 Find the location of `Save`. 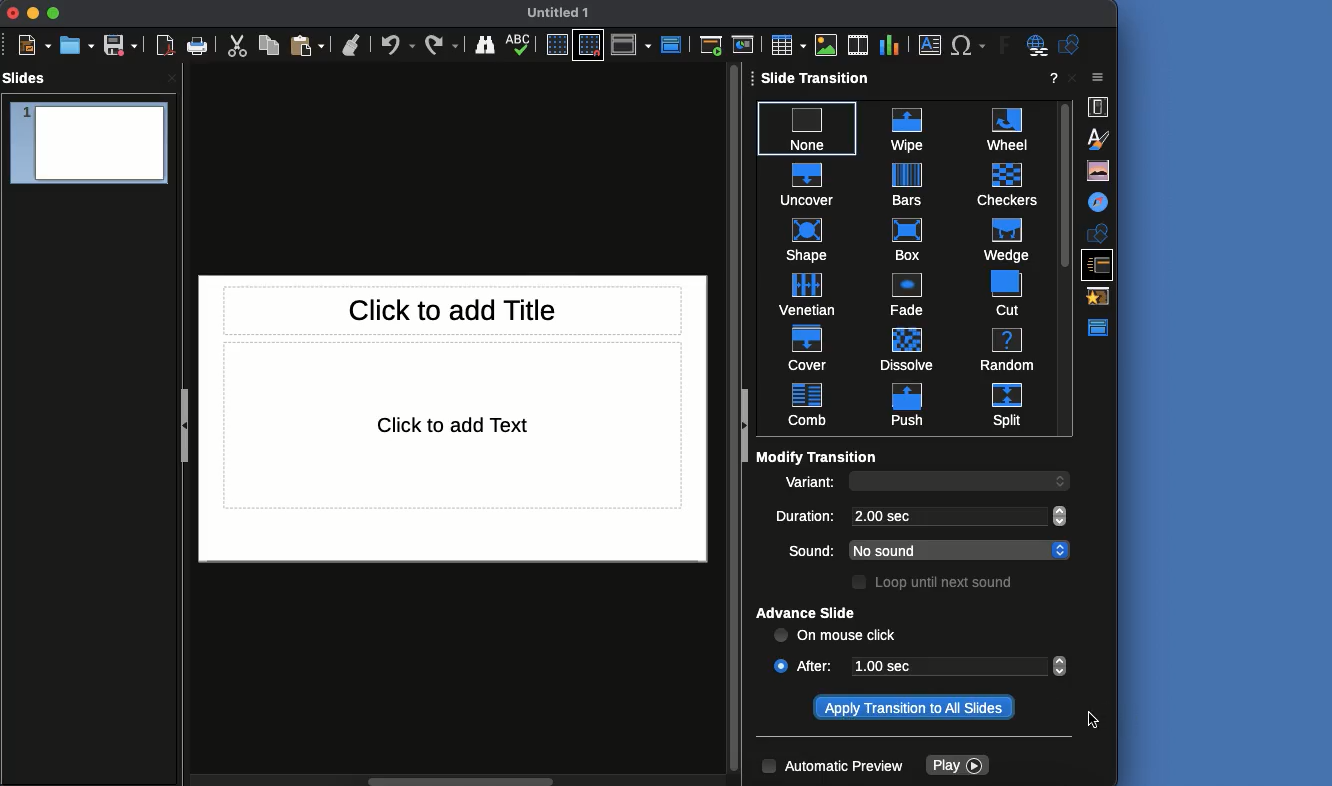

Save is located at coordinates (121, 44).